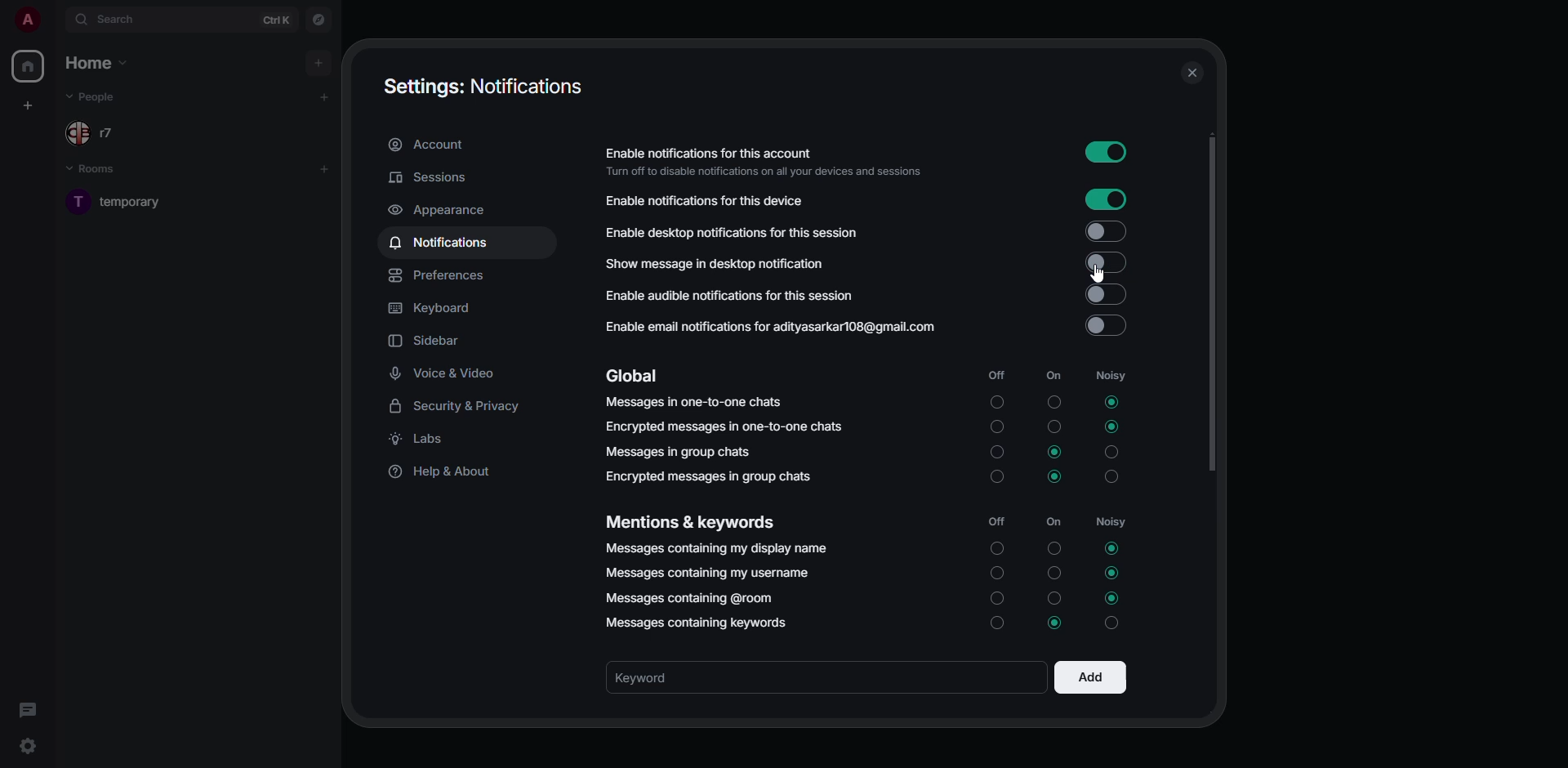  Describe the element at coordinates (91, 132) in the screenshot. I see `people` at that location.